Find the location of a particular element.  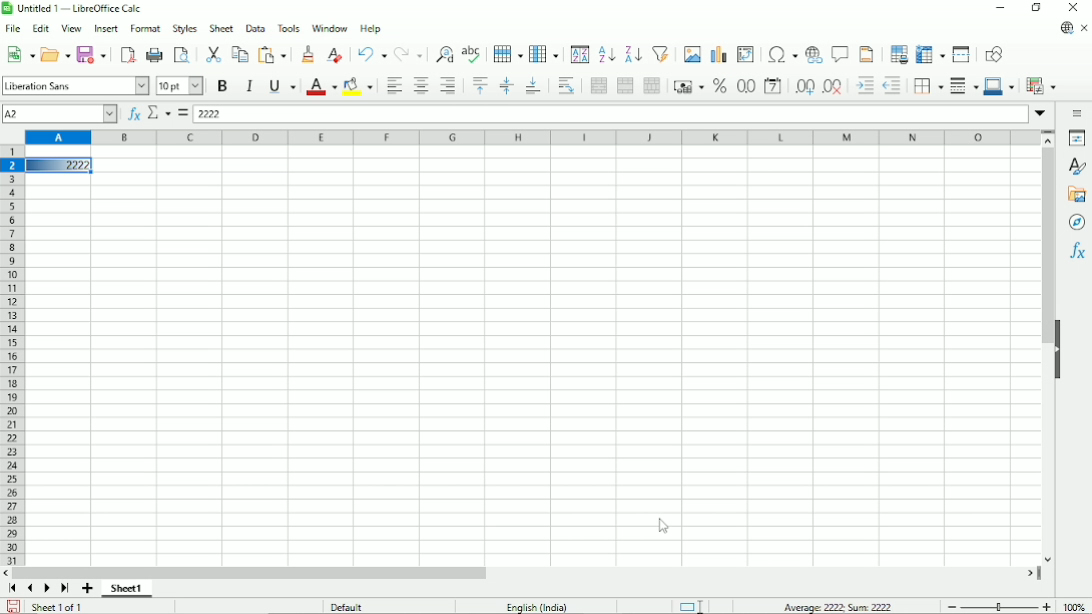

Sidebar settings is located at coordinates (1079, 113).